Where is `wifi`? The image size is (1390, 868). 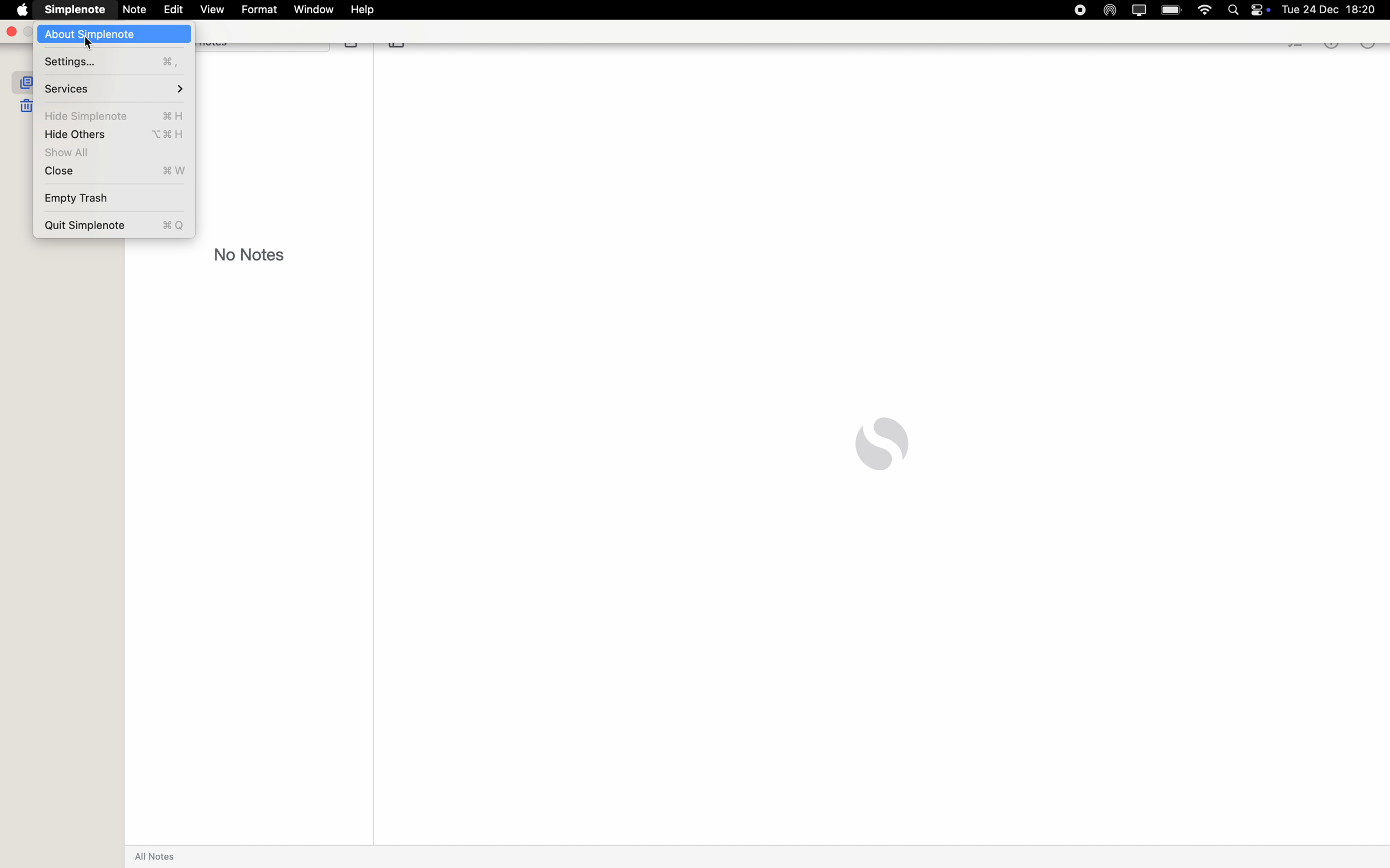 wifi is located at coordinates (1205, 11).